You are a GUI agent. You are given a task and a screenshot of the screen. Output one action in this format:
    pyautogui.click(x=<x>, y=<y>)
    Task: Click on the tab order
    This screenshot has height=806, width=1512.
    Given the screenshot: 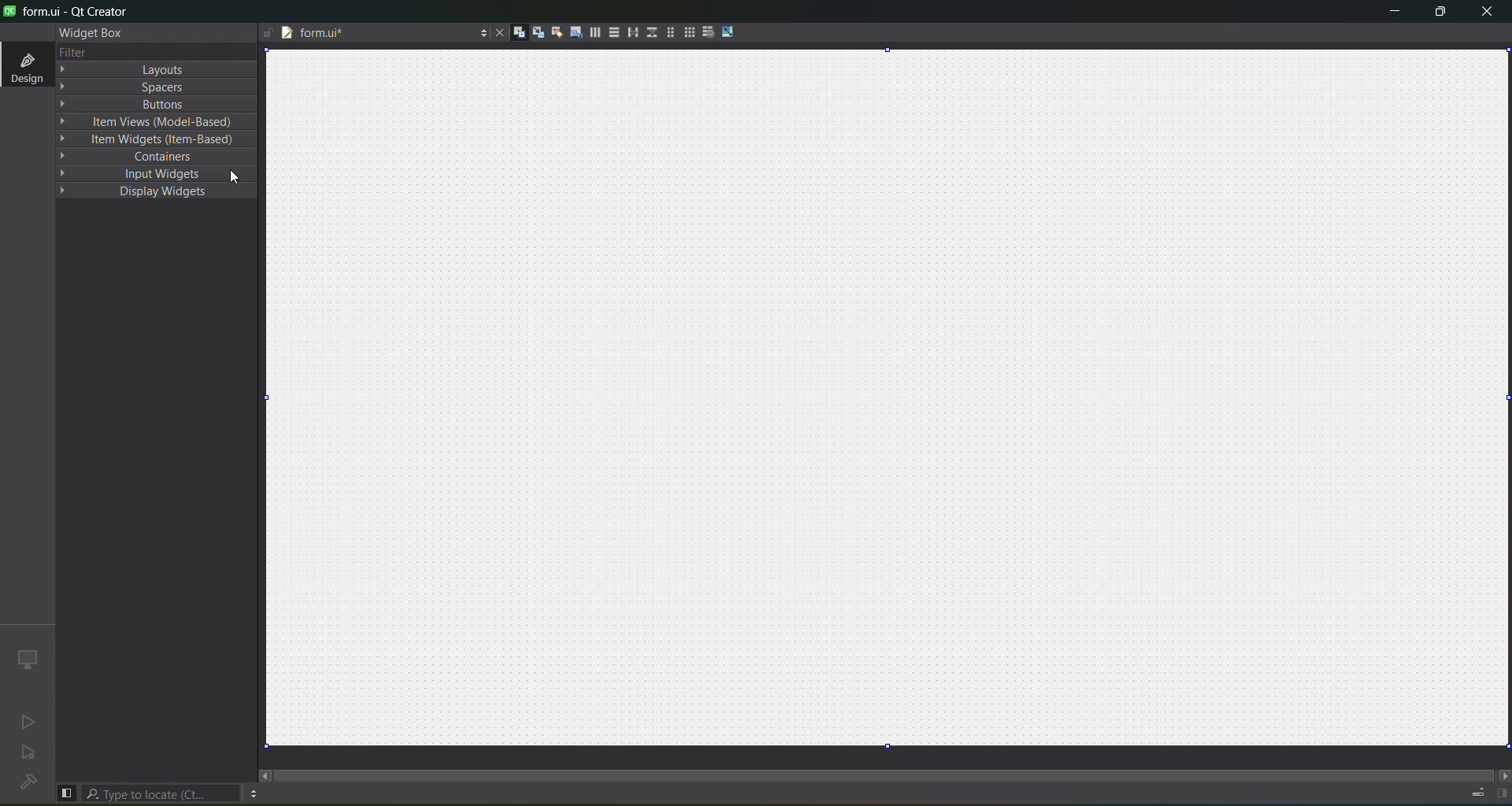 What is the action you would take?
    pyautogui.click(x=571, y=32)
    